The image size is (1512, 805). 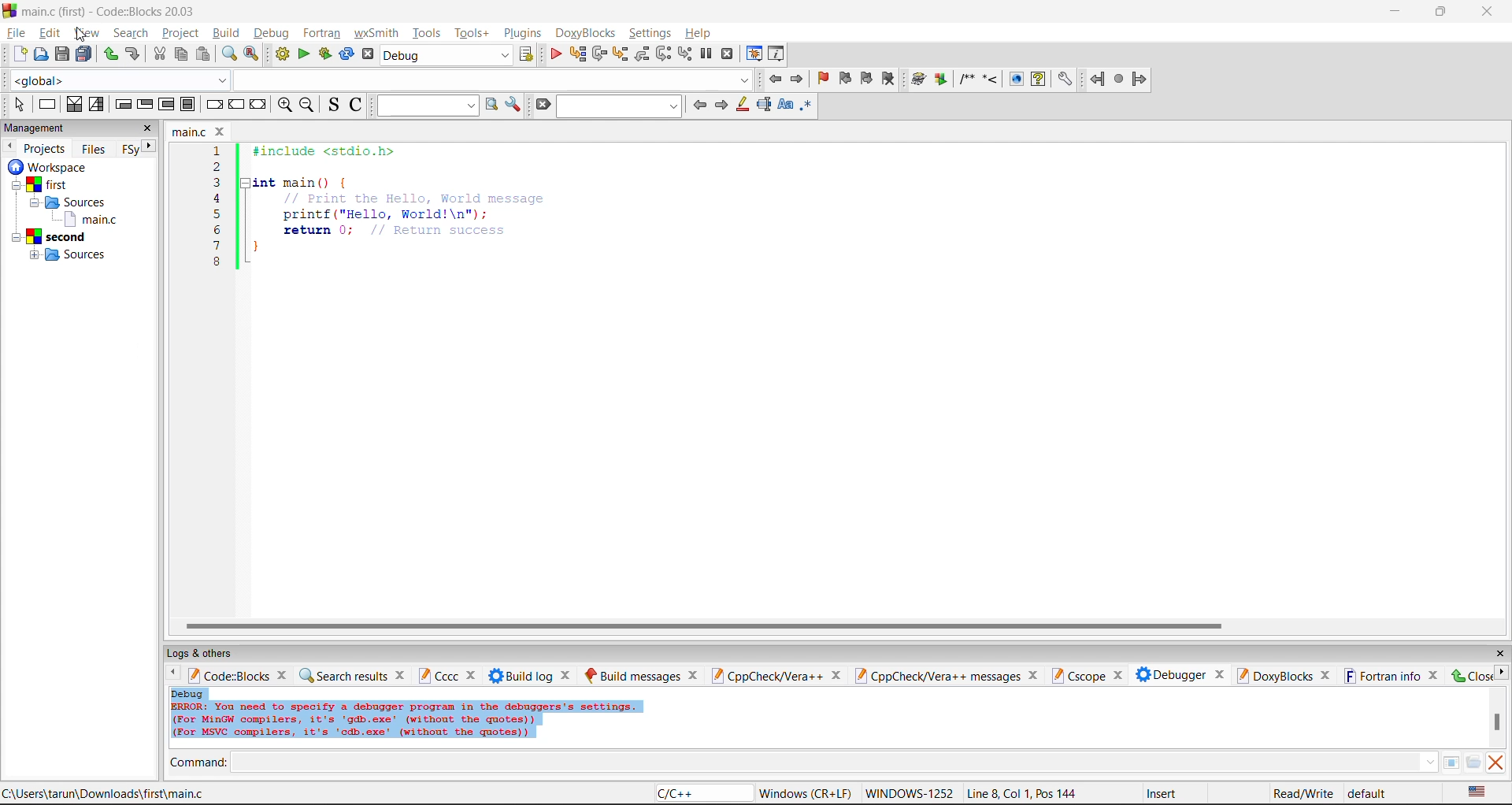 I want to click on select, so click(x=18, y=105).